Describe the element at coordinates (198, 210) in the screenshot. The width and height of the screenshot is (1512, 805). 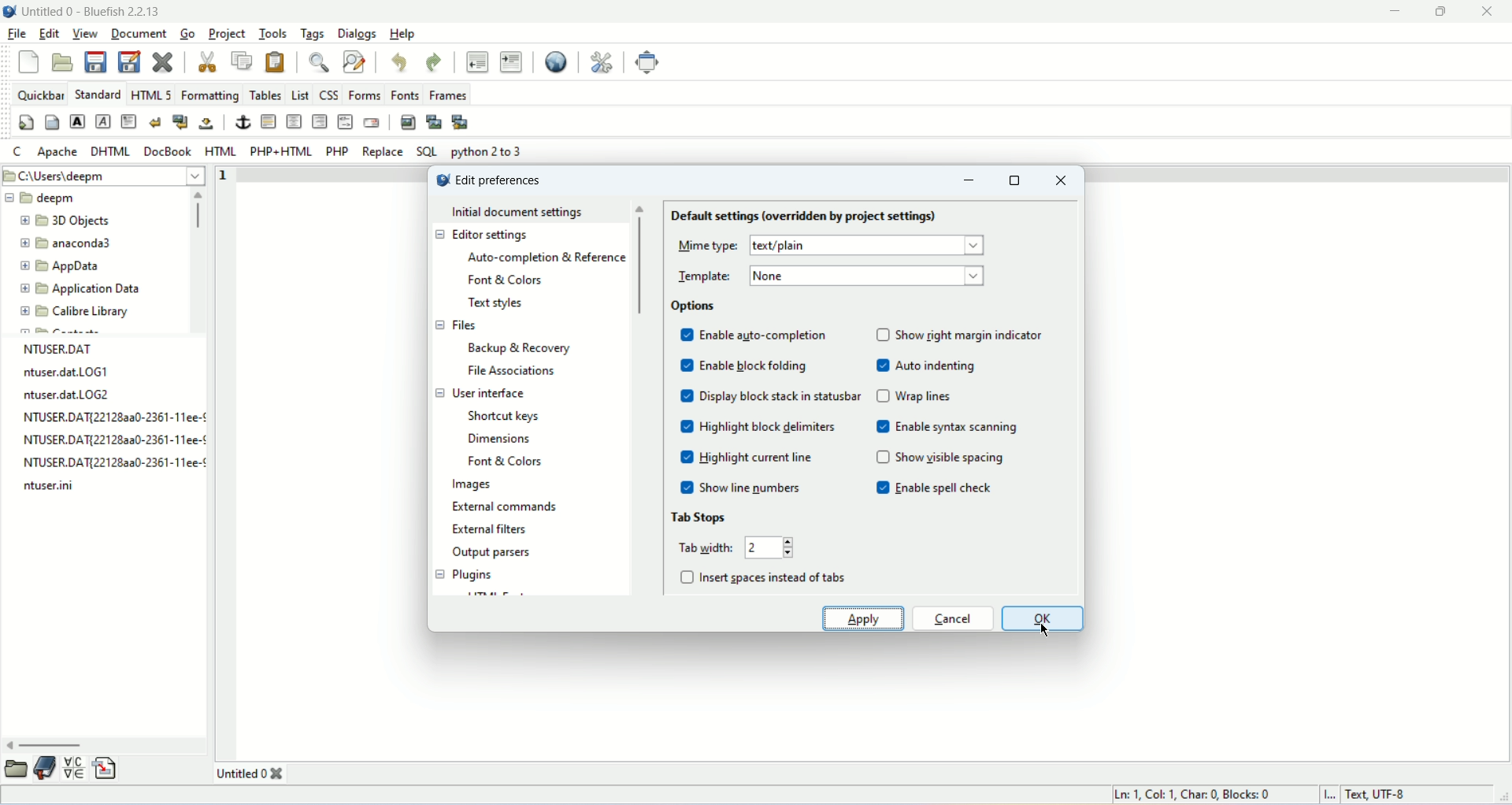
I see `vertical scroll bar` at that location.